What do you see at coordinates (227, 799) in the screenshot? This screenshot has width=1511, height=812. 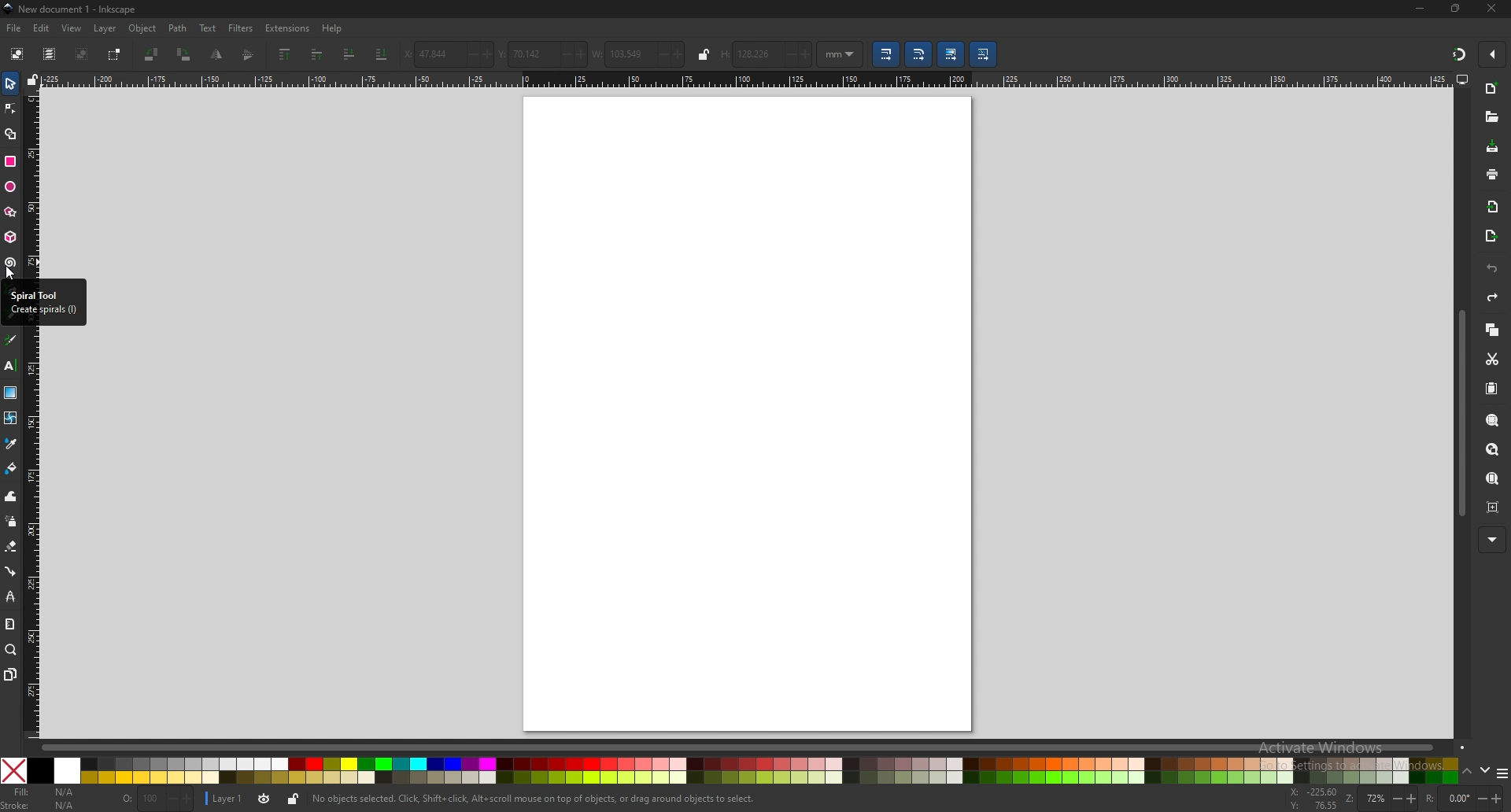 I see `layer 1` at bounding box center [227, 799].